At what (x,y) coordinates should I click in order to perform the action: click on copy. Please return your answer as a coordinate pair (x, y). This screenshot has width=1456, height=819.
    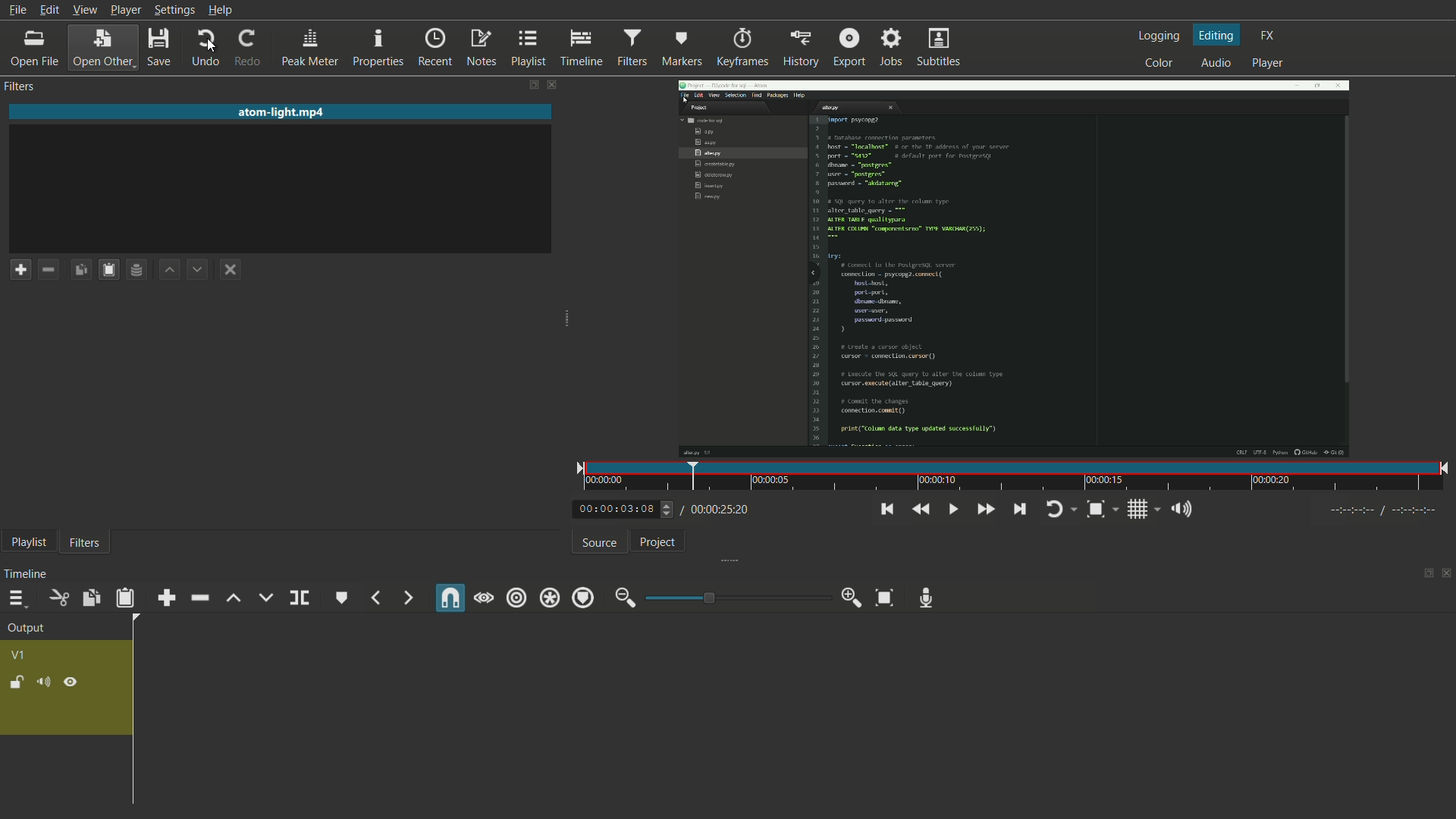
    Looking at the image, I should click on (89, 598).